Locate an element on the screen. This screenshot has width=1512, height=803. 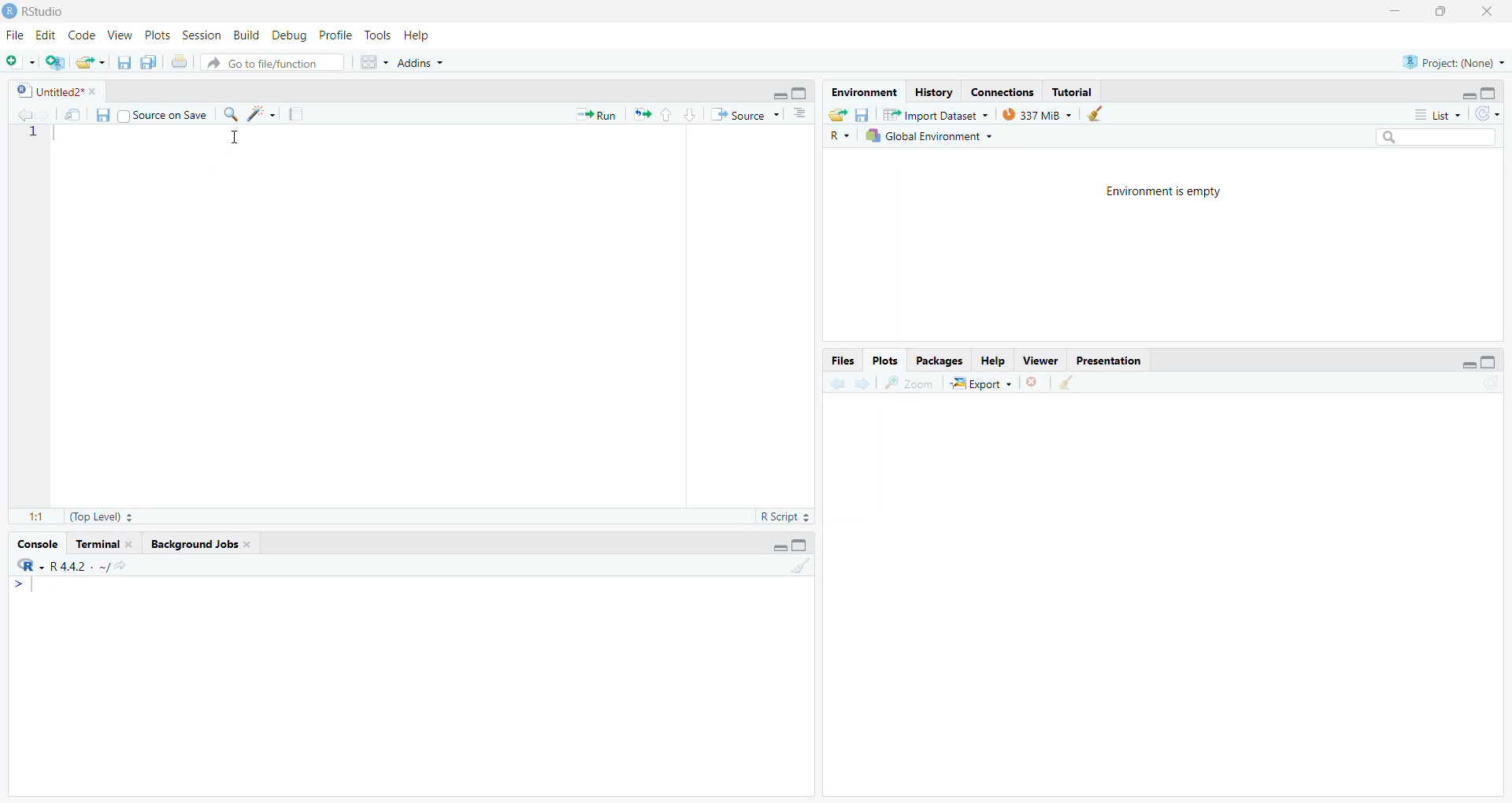
search bar is located at coordinates (1444, 139).